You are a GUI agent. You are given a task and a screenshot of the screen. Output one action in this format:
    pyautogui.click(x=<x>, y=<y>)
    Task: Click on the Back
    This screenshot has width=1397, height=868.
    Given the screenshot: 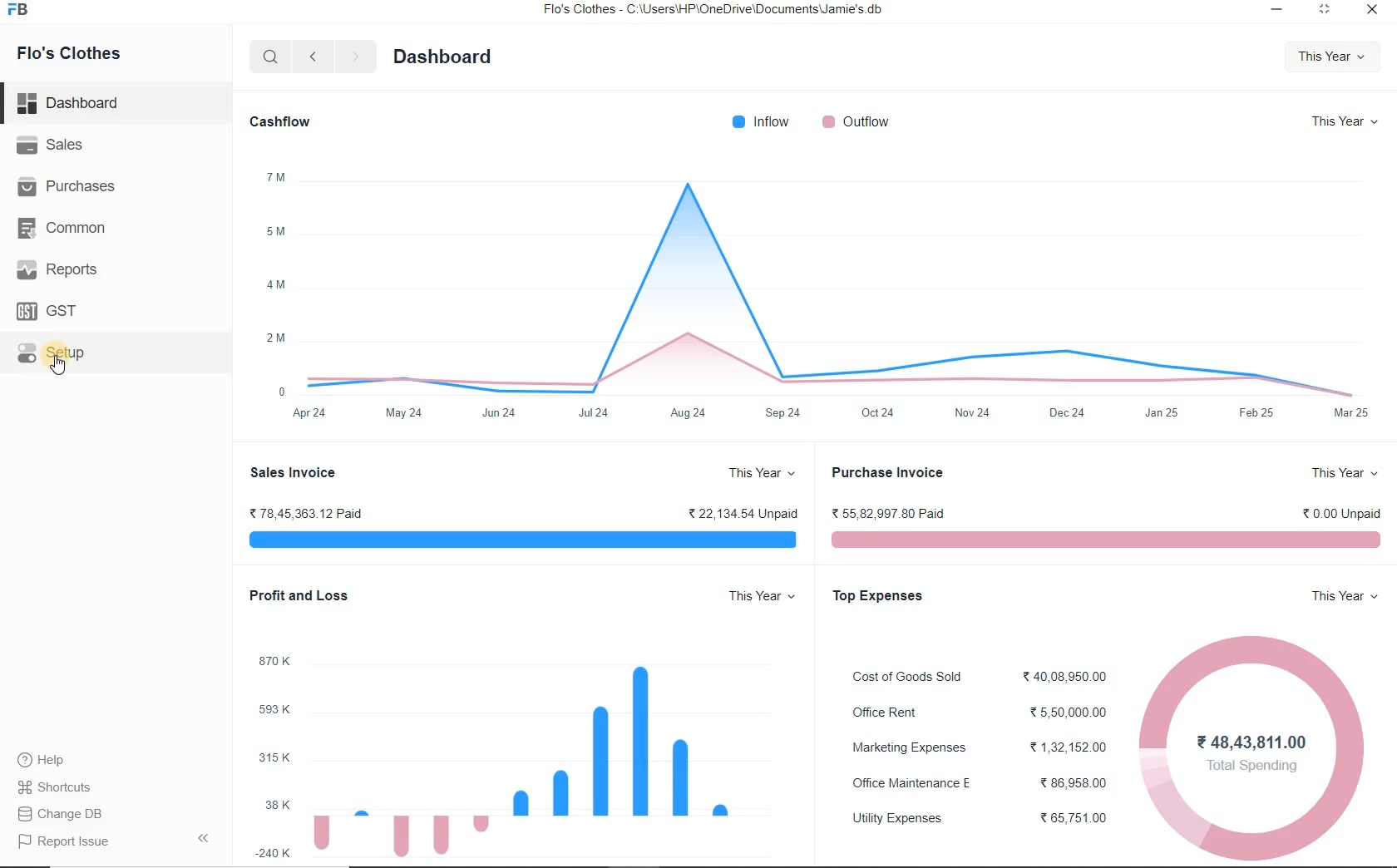 What is the action you would take?
    pyautogui.click(x=312, y=56)
    